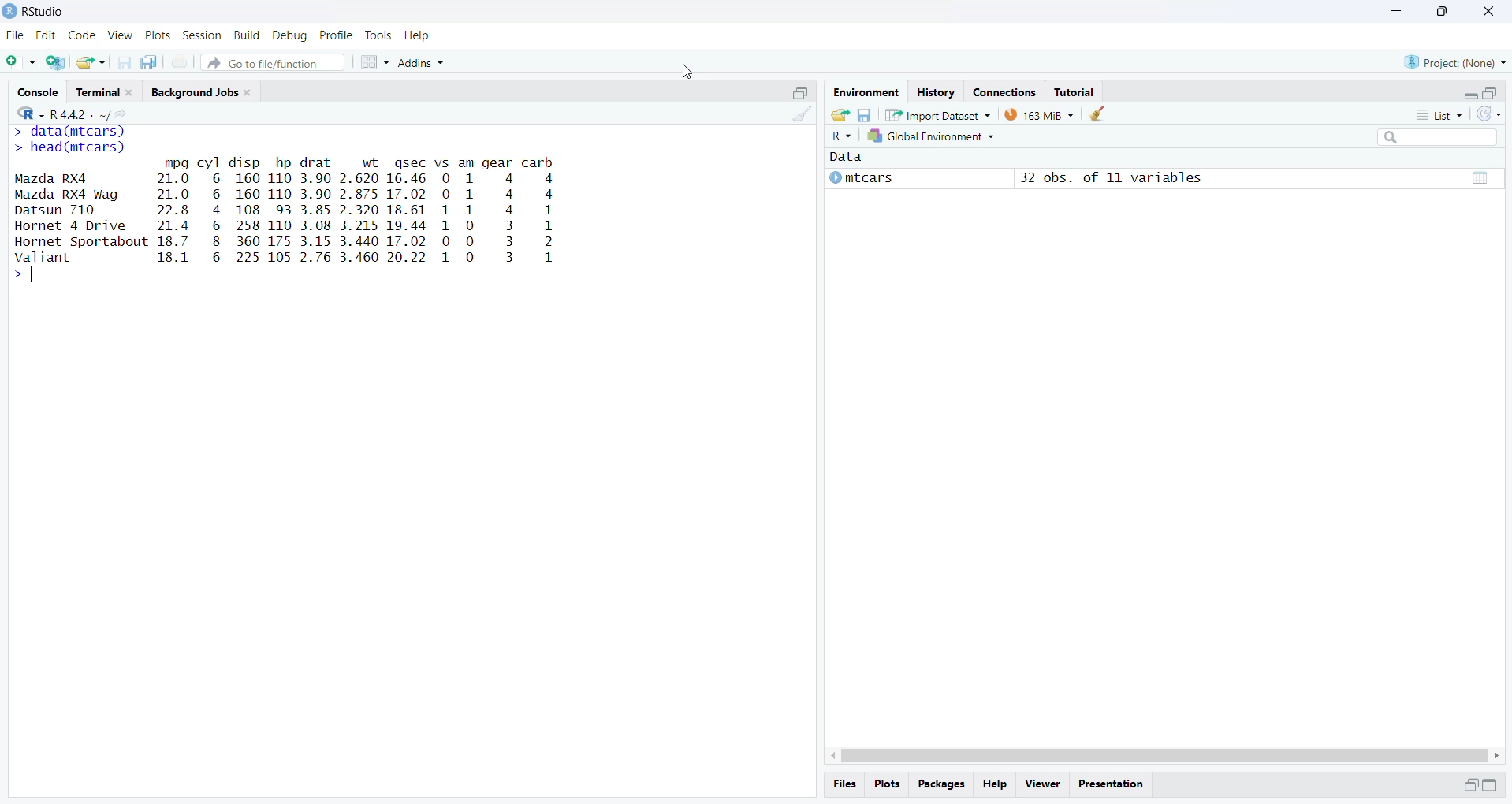  Describe the element at coordinates (1097, 114) in the screenshot. I see `clean` at that location.